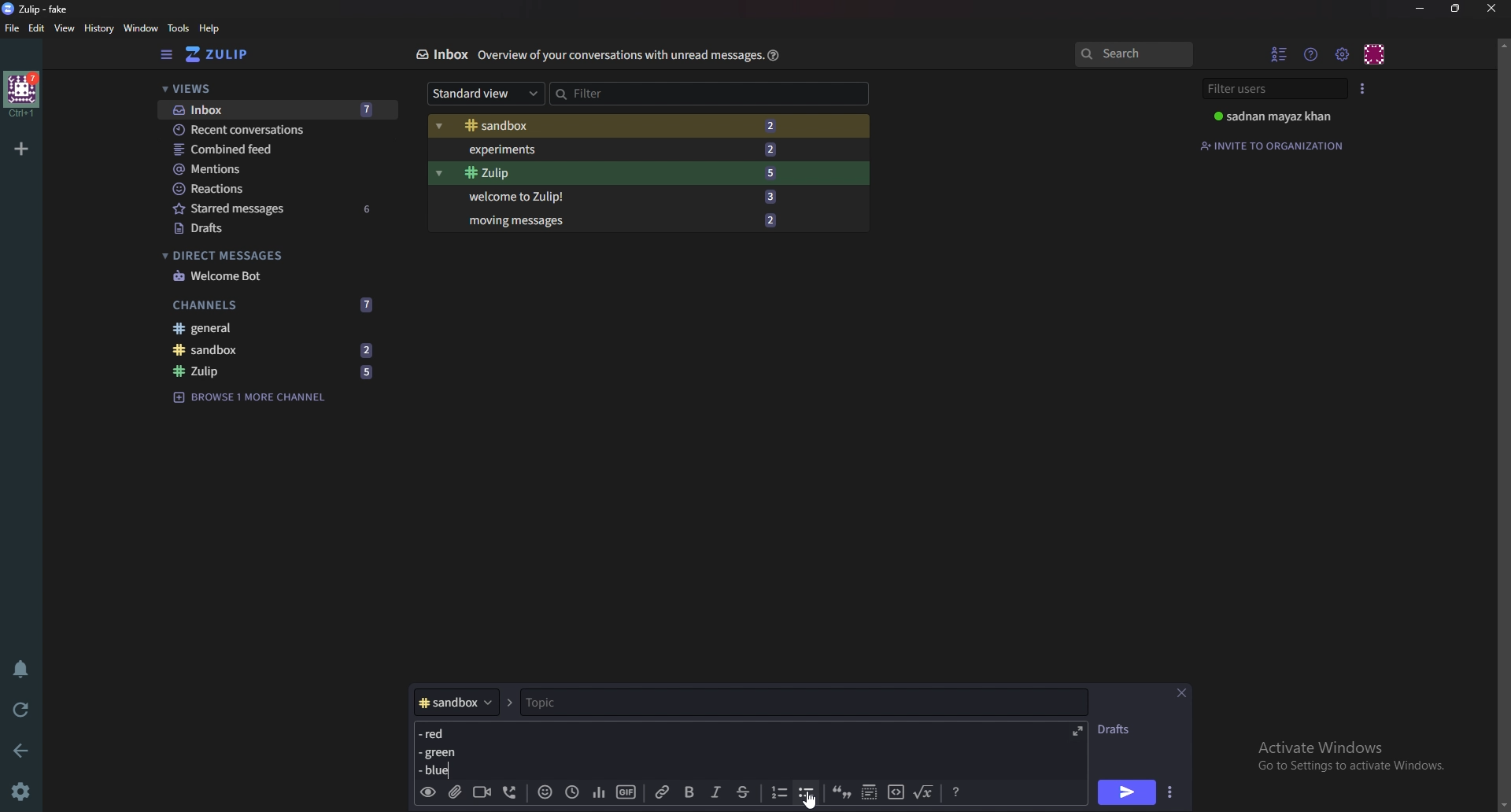 This screenshot has height=812, width=1511. Describe the element at coordinates (618, 149) in the screenshot. I see `Experiments` at that location.